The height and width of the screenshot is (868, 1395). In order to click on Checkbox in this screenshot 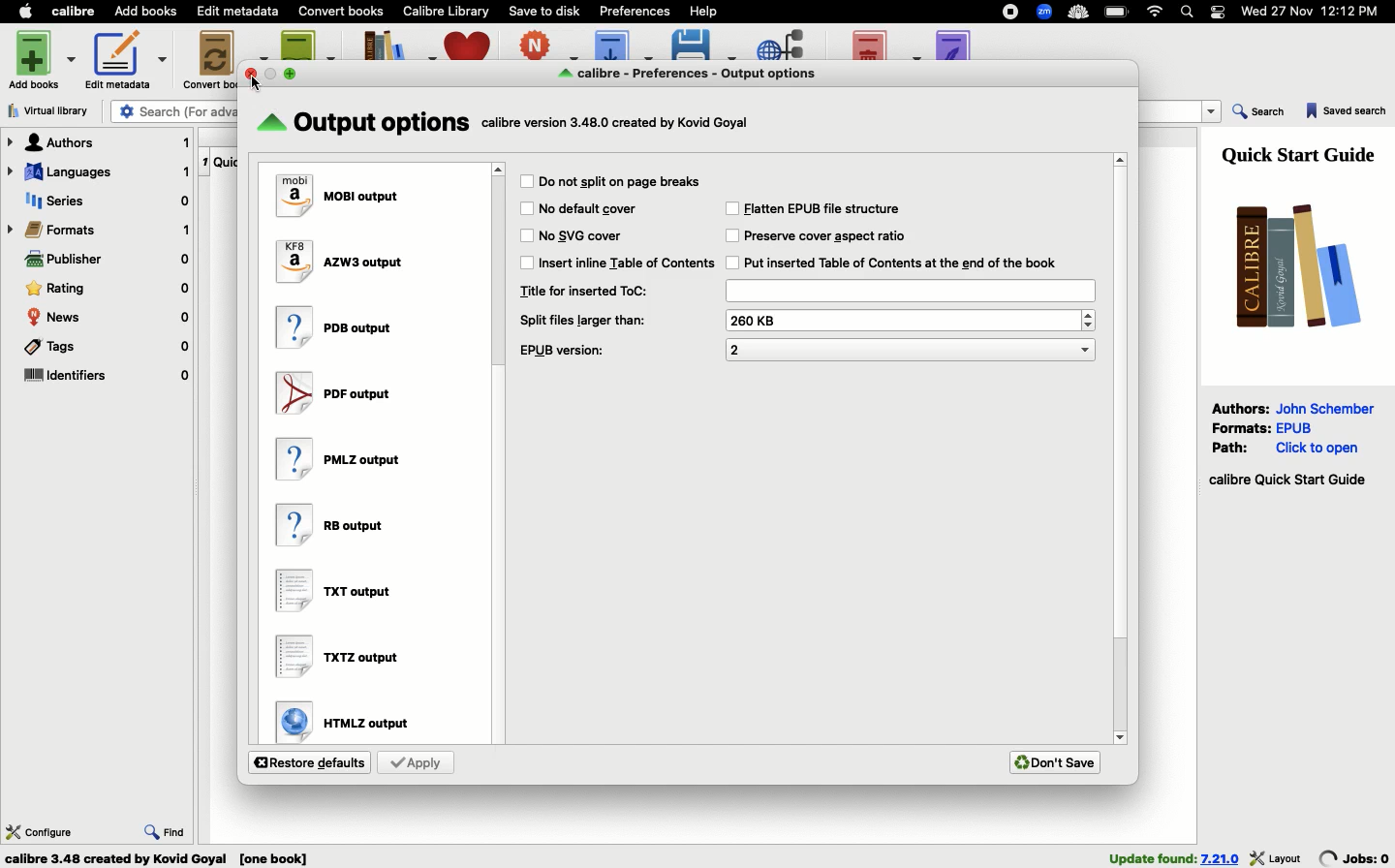, I will do `click(731, 236)`.